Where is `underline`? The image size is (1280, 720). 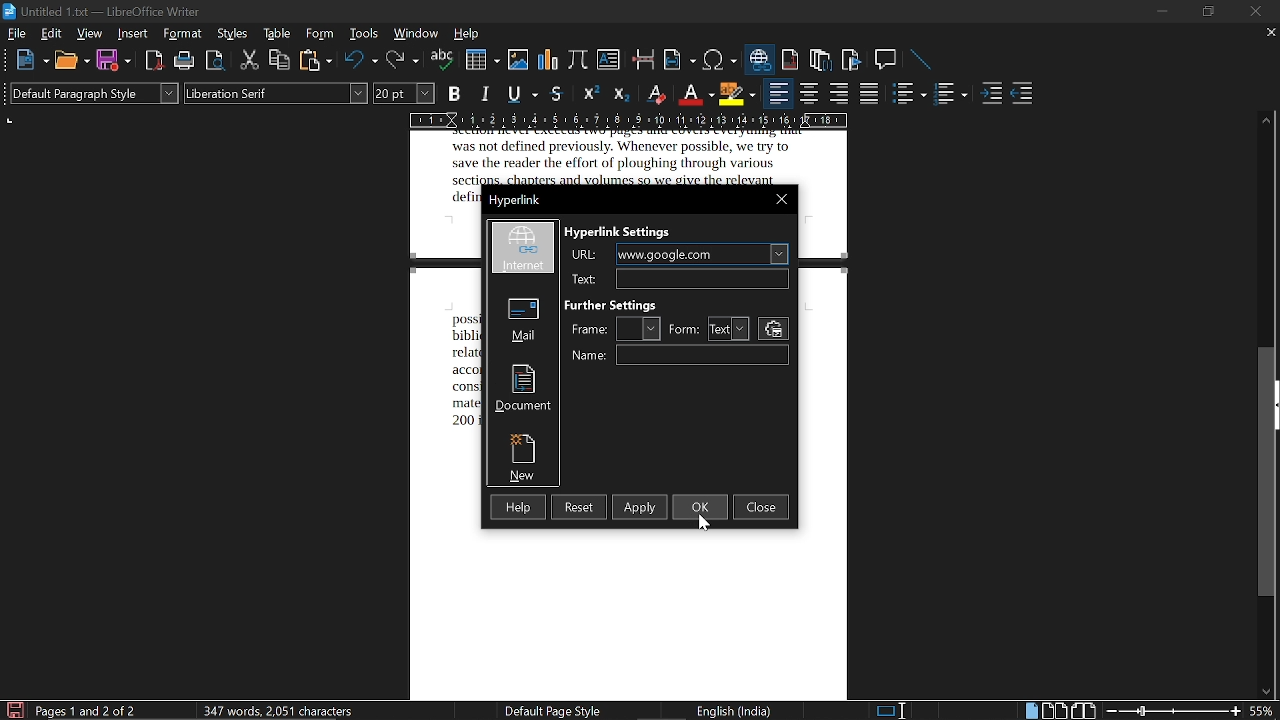 underline is located at coordinates (522, 93).